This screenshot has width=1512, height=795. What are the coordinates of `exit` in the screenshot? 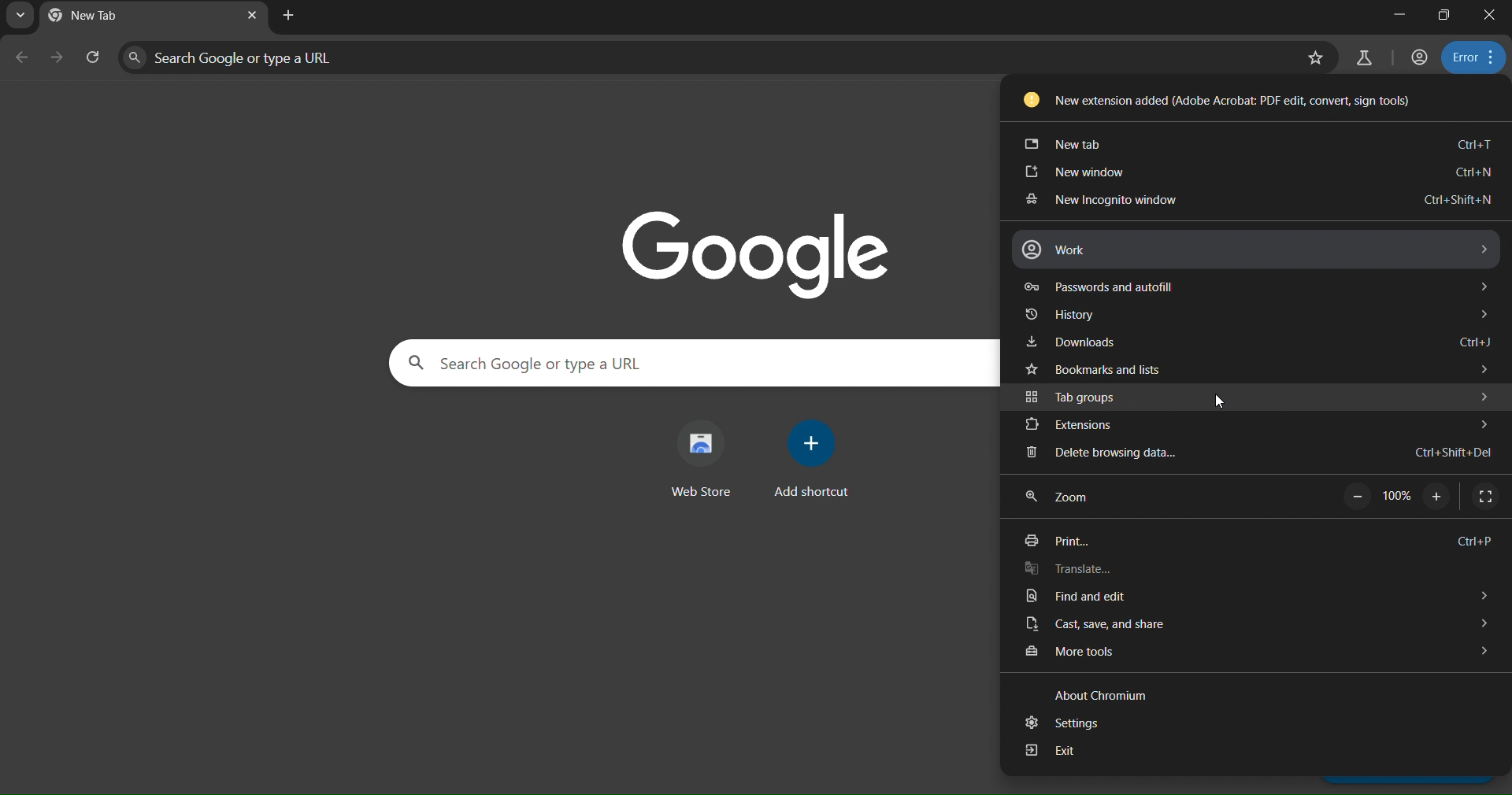 It's located at (1254, 753).